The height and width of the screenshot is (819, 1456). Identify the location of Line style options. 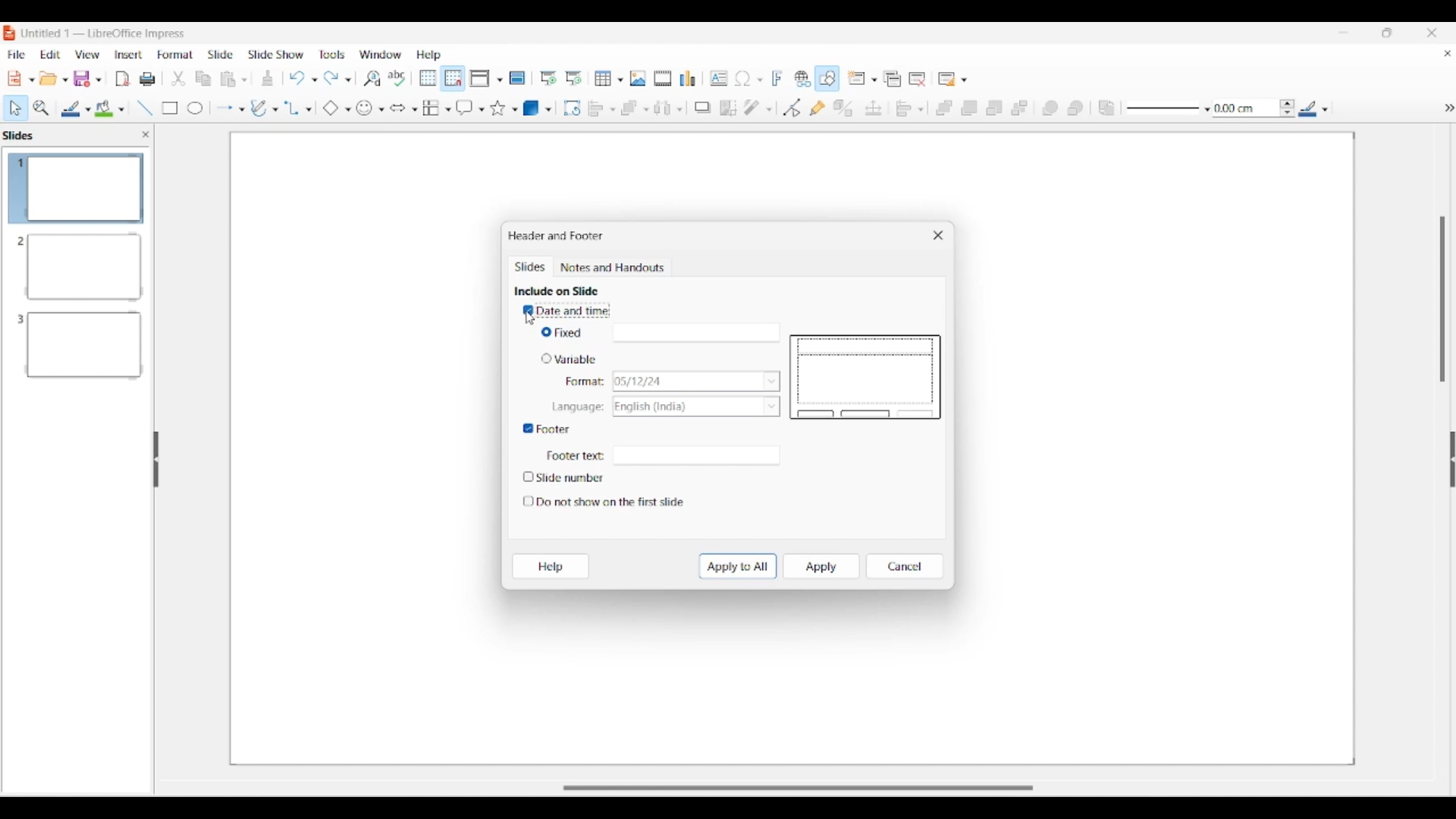
(1169, 109).